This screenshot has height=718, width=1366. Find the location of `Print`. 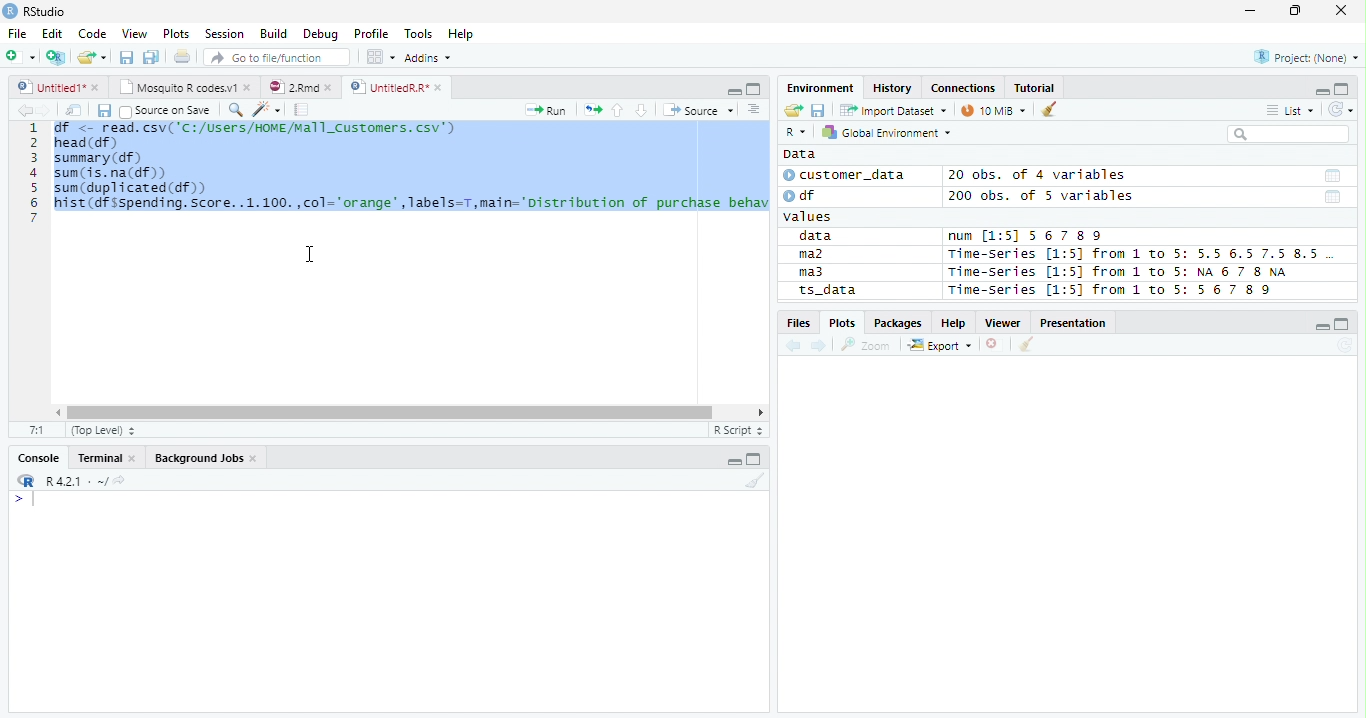

Print is located at coordinates (181, 57).